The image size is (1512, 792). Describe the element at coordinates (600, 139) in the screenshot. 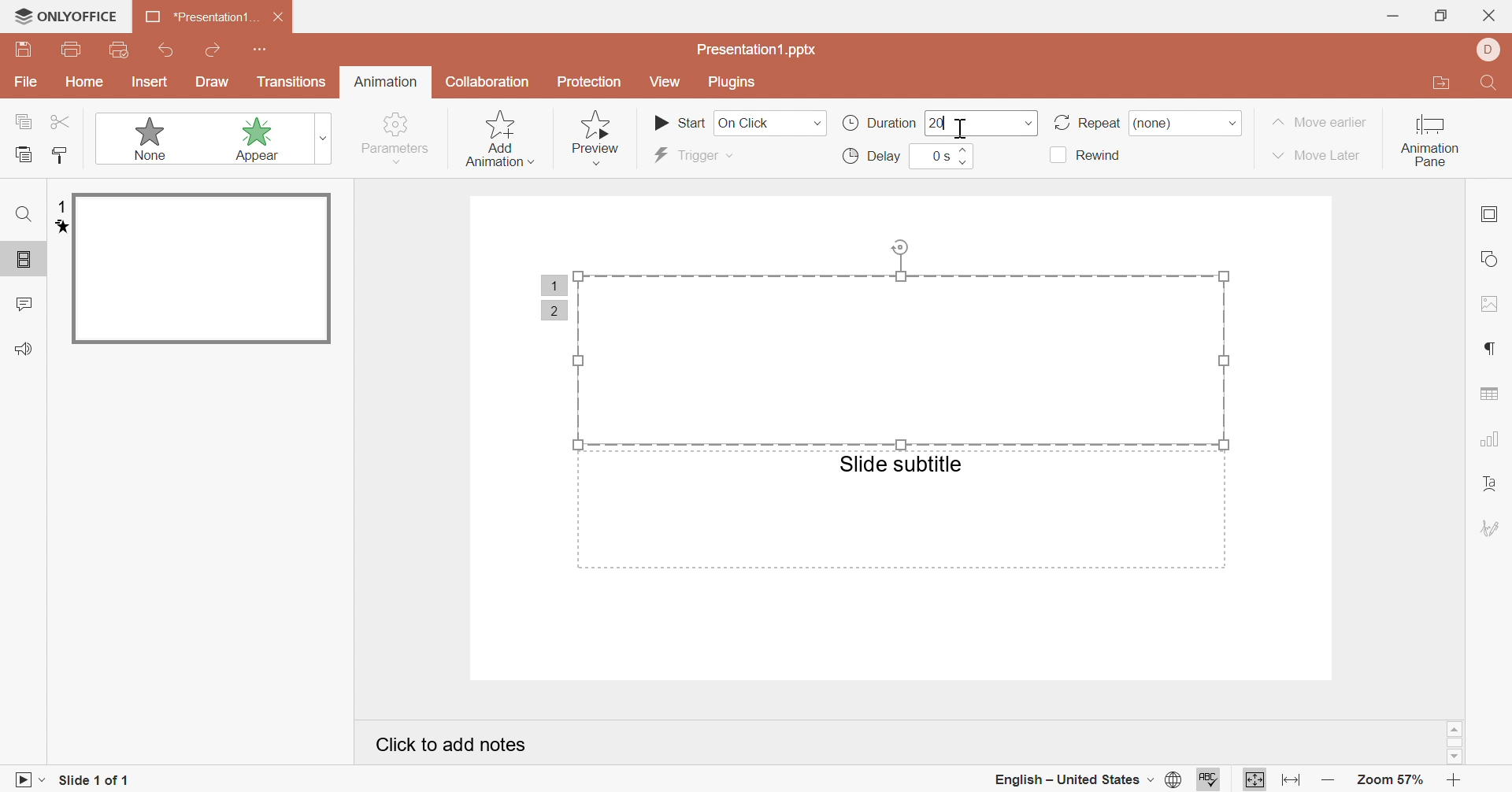

I see `preview` at that location.